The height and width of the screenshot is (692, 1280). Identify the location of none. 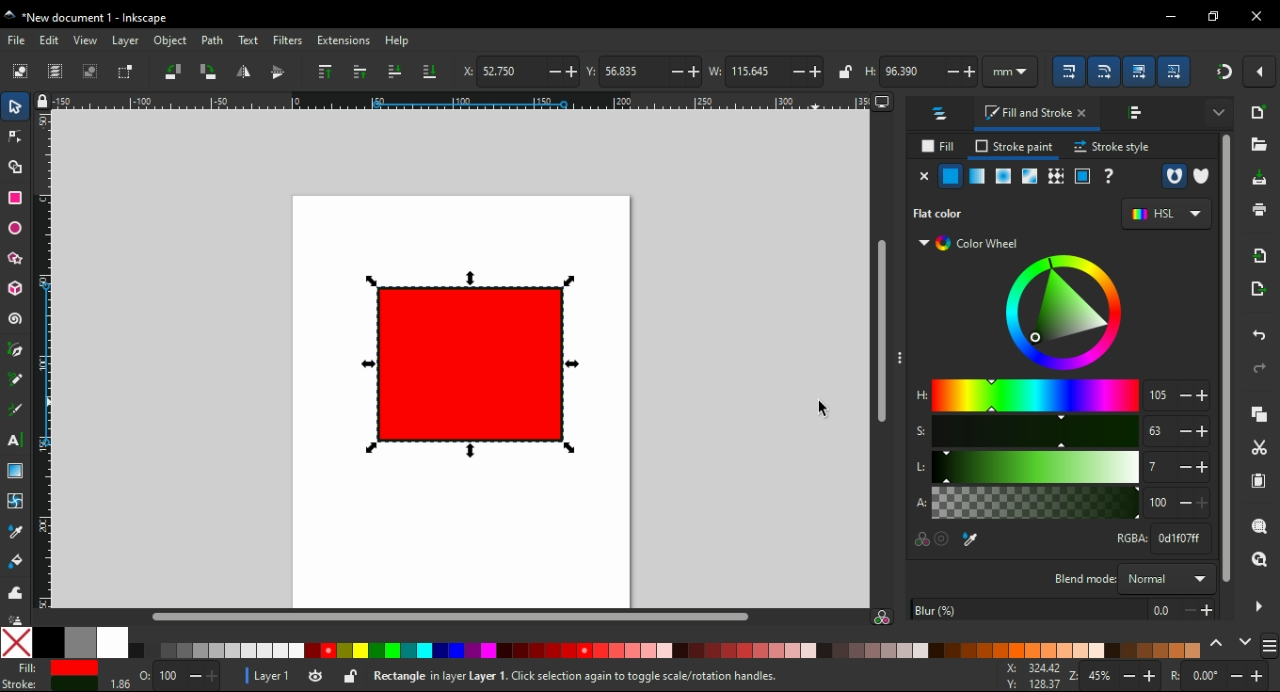
(924, 176).